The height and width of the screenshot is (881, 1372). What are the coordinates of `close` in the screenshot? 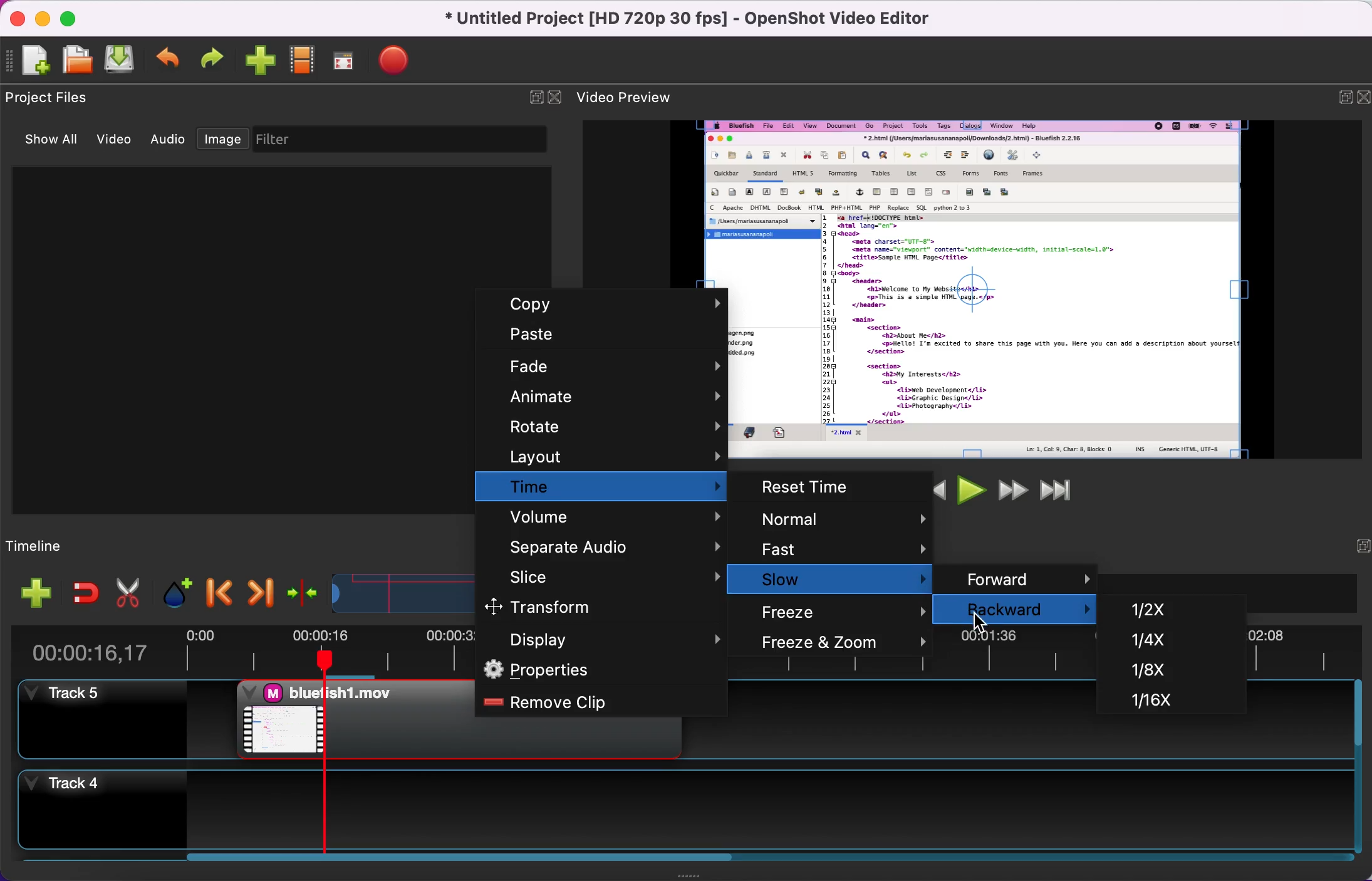 It's located at (21, 21).